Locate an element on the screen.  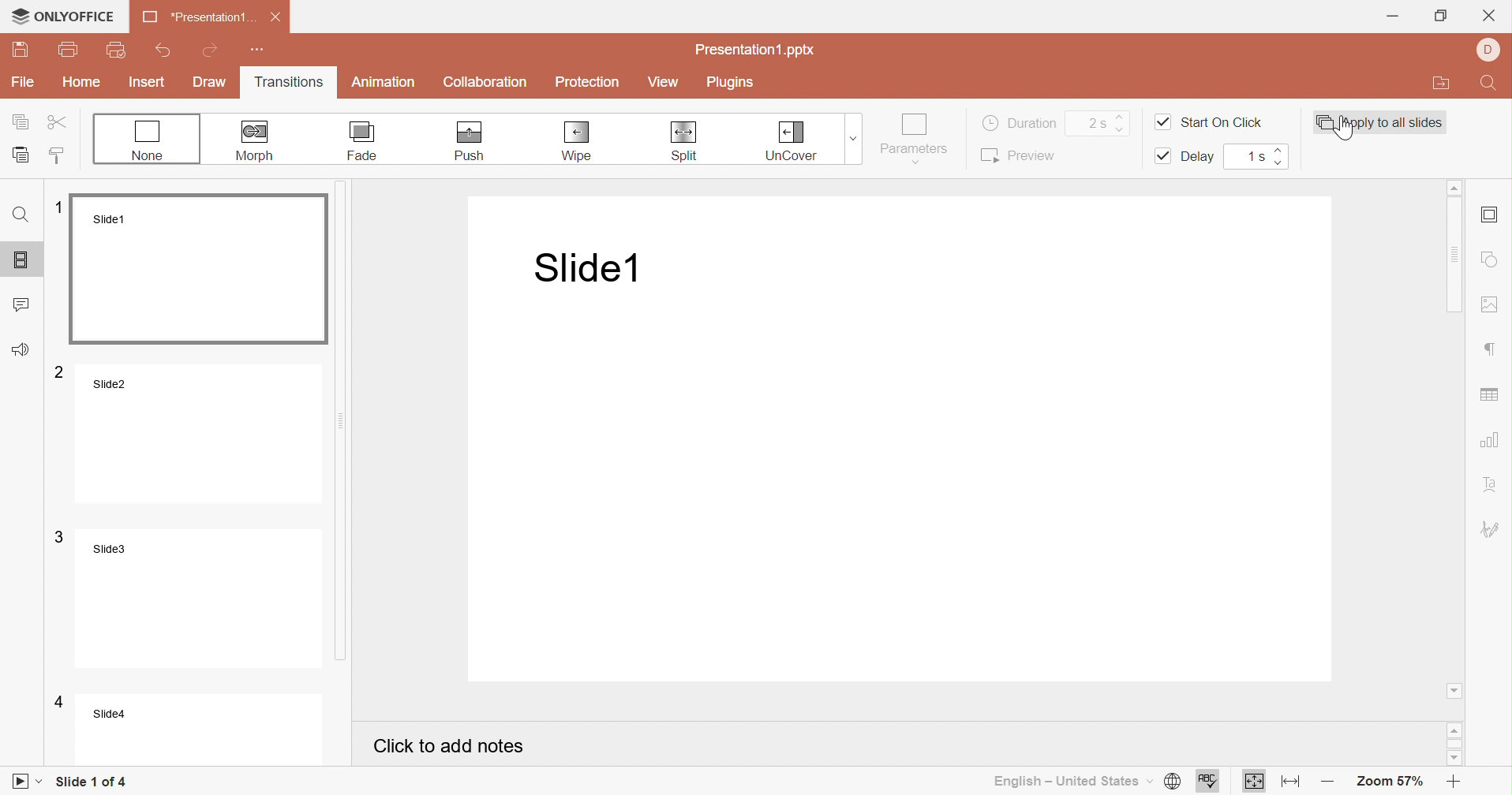
Apply to all slides is located at coordinates (1378, 122).